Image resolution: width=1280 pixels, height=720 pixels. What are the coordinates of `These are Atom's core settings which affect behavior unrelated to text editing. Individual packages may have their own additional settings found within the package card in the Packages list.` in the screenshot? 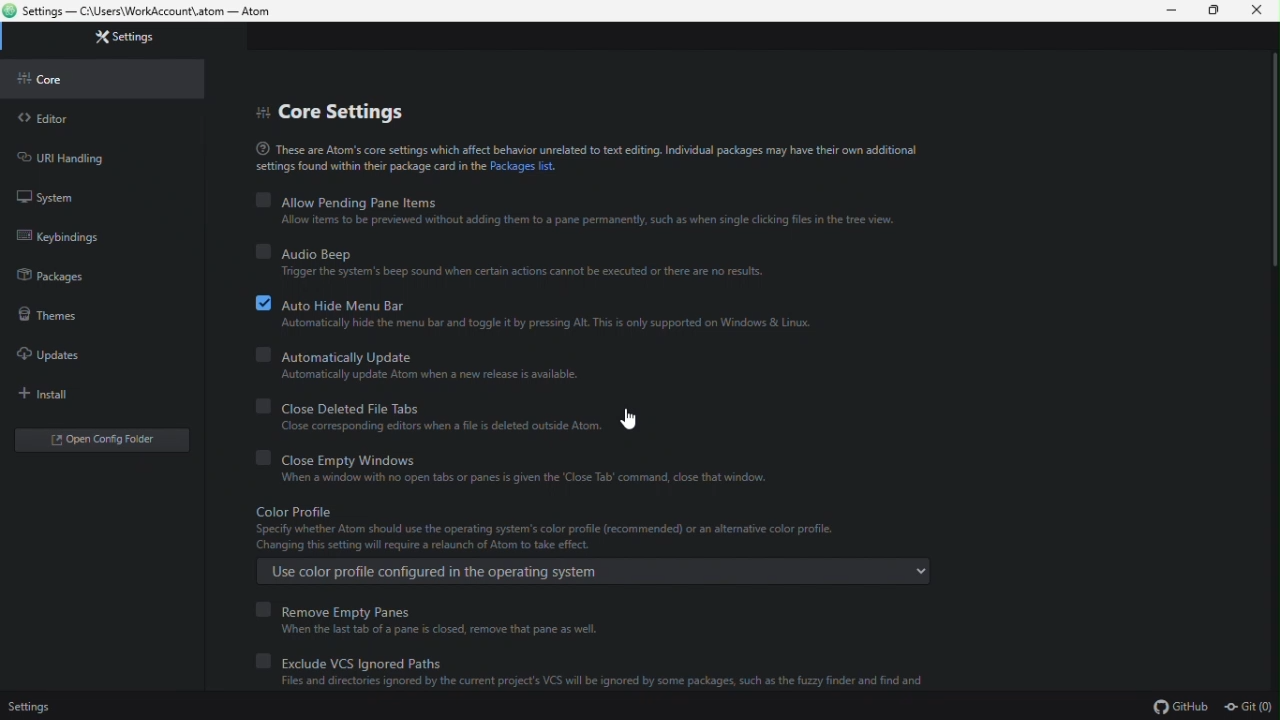 It's located at (587, 159).